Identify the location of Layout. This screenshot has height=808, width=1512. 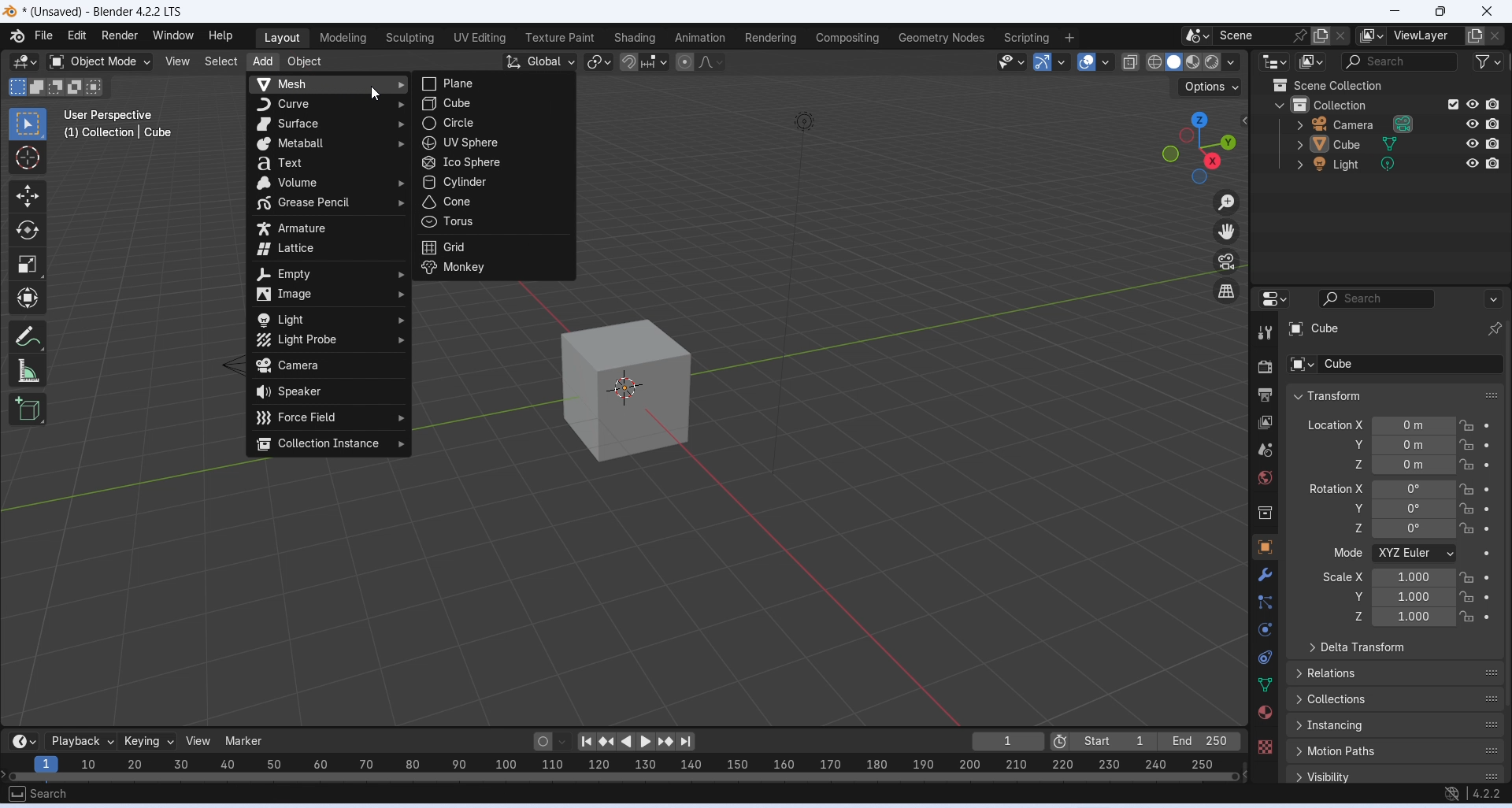
(282, 39).